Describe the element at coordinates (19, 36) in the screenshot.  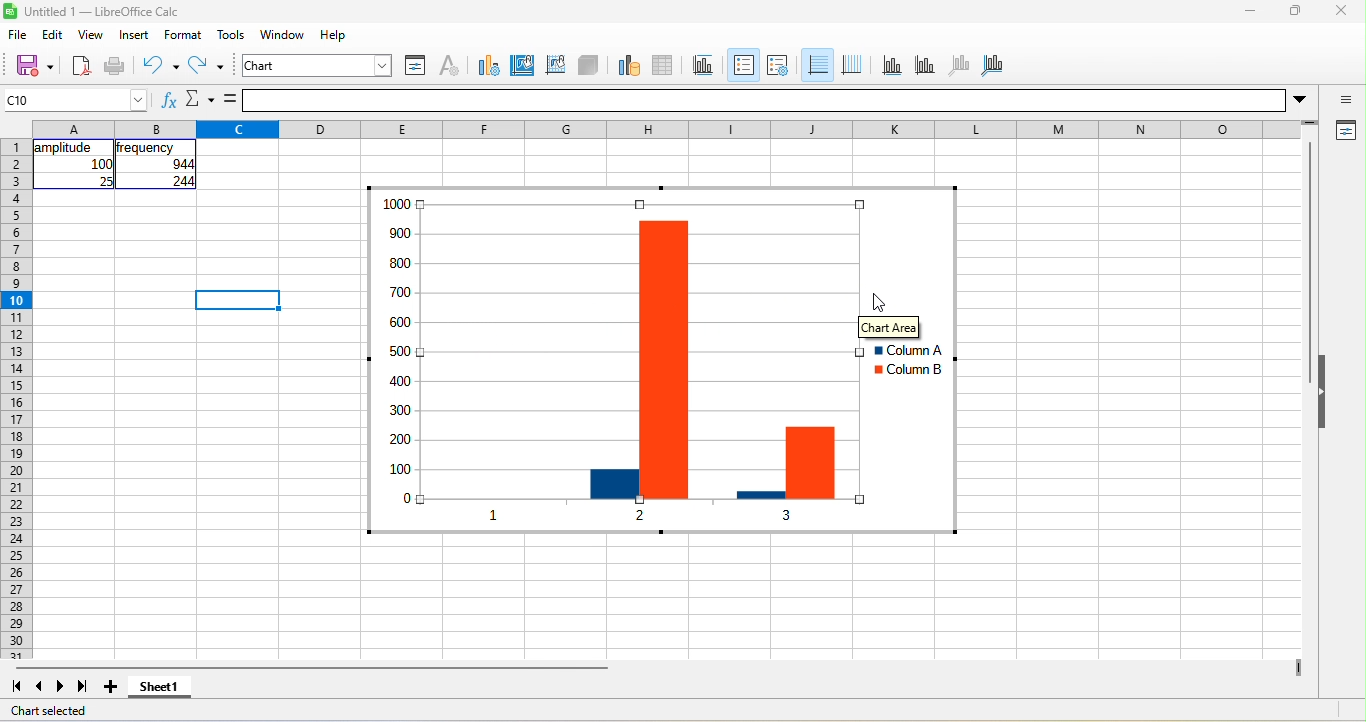
I see `file` at that location.